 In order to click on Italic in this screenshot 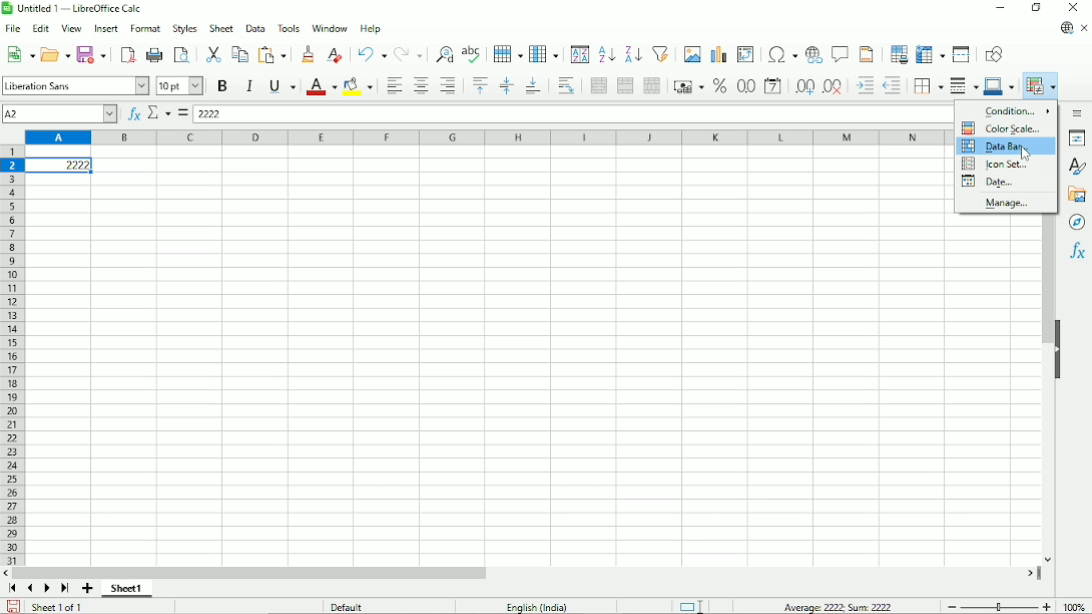, I will do `click(250, 86)`.